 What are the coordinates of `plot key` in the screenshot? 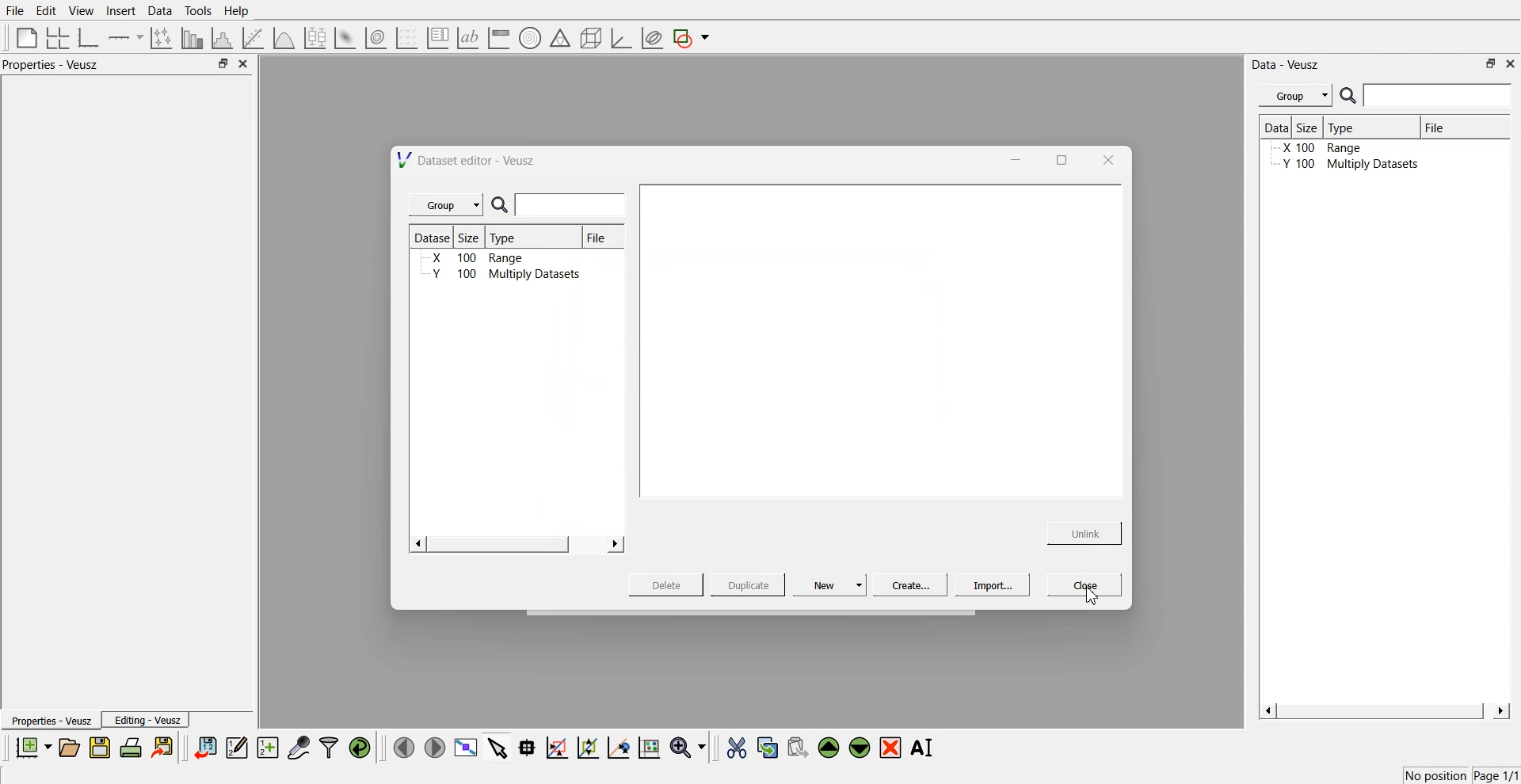 It's located at (437, 38).